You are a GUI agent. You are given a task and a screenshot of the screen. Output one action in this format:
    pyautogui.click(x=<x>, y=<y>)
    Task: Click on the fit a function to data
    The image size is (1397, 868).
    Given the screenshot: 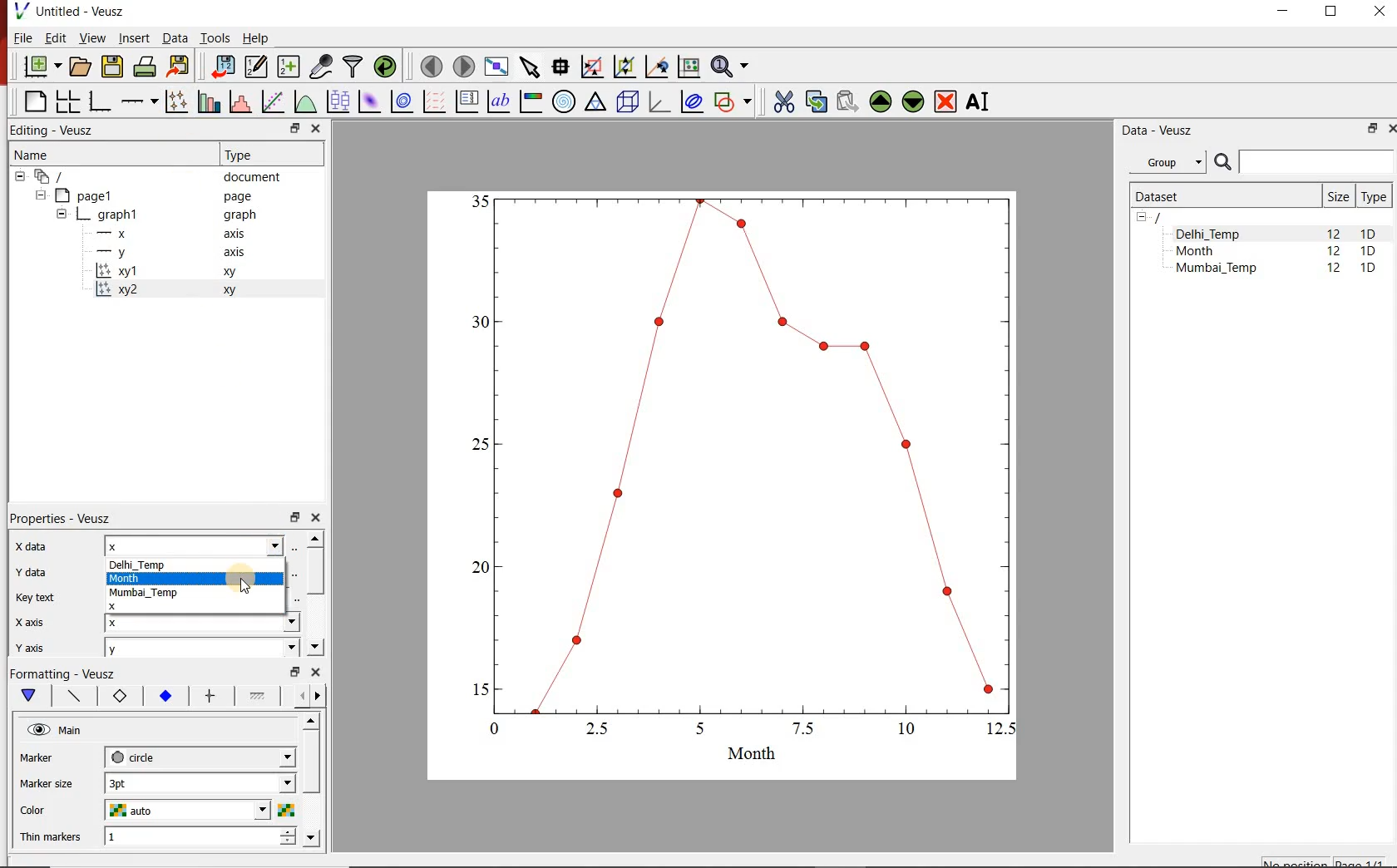 What is the action you would take?
    pyautogui.click(x=272, y=101)
    